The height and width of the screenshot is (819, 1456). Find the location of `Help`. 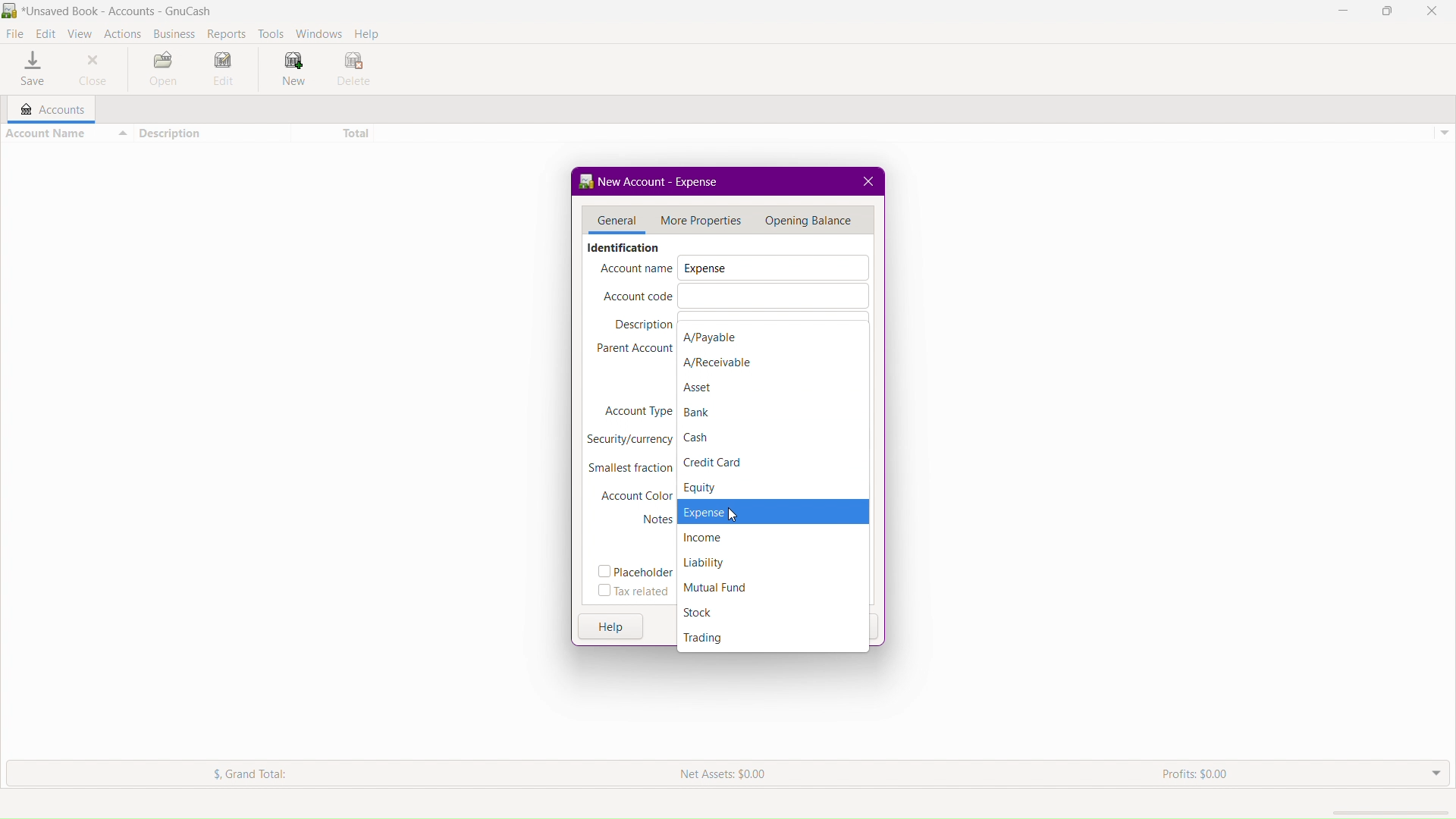

Help is located at coordinates (611, 626).